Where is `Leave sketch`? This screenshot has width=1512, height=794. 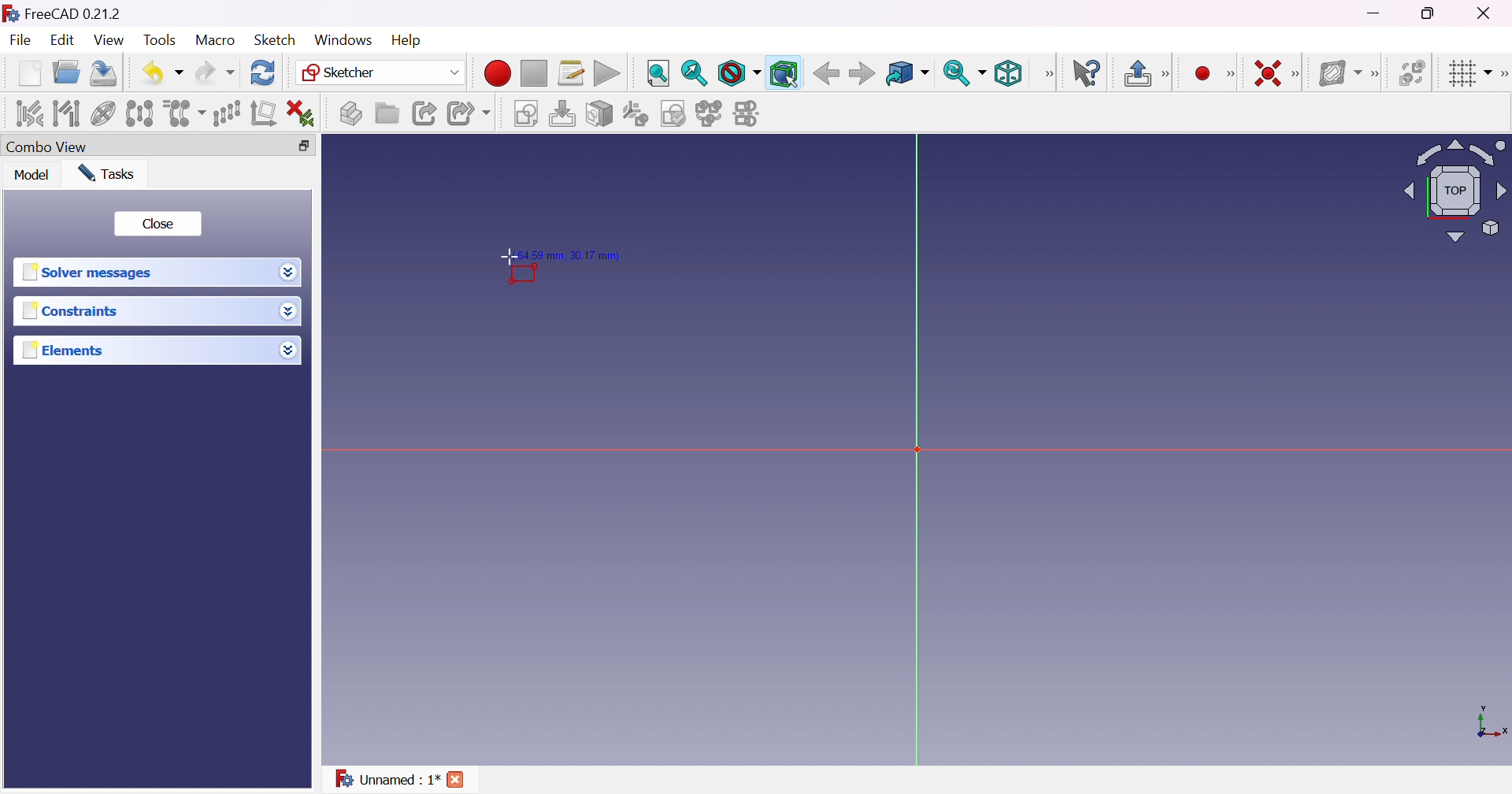
Leave sketch is located at coordinates (1136, 73).